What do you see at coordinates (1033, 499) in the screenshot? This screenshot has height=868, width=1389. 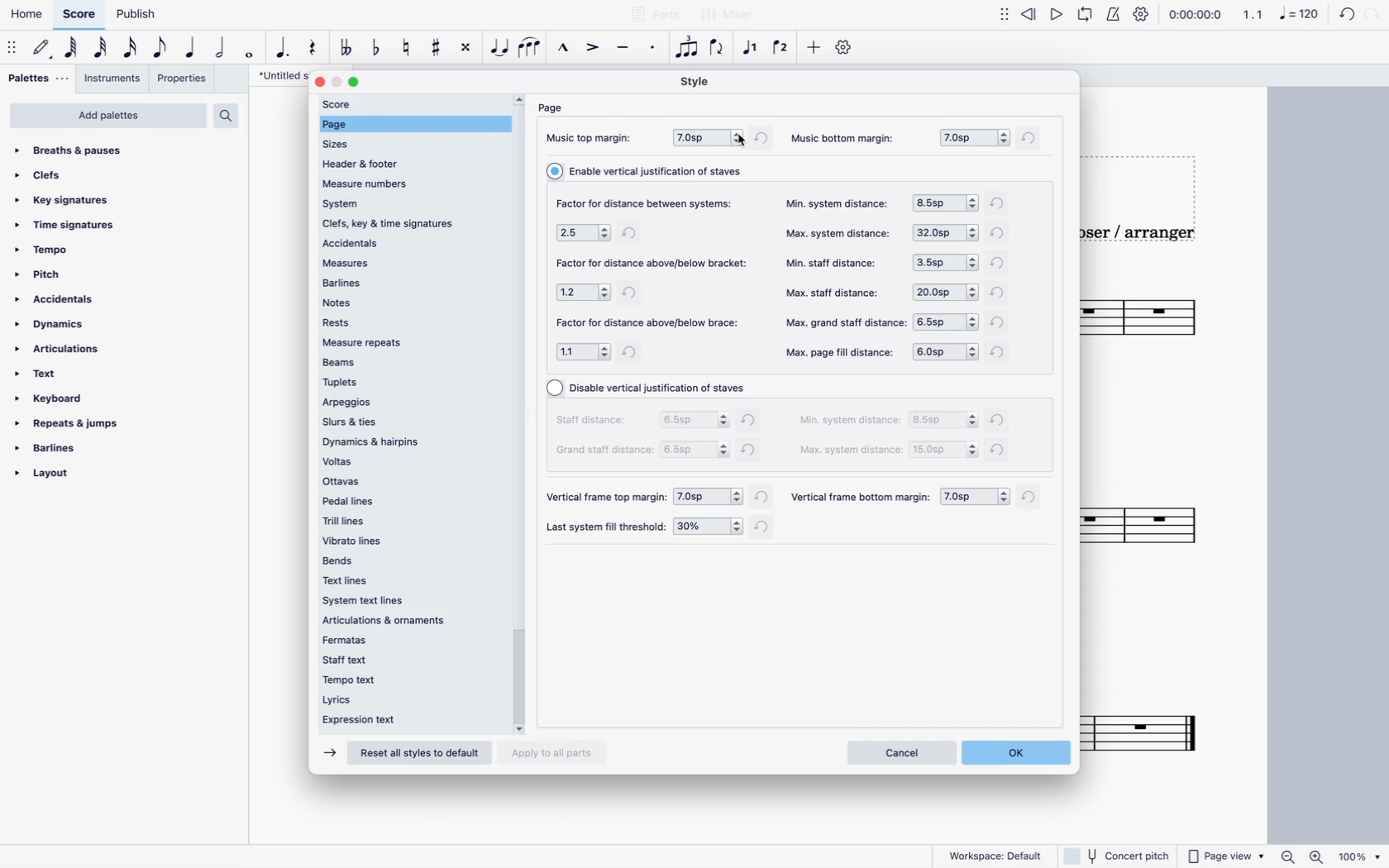 I see `refresh` at bounding box center [1033, 499].